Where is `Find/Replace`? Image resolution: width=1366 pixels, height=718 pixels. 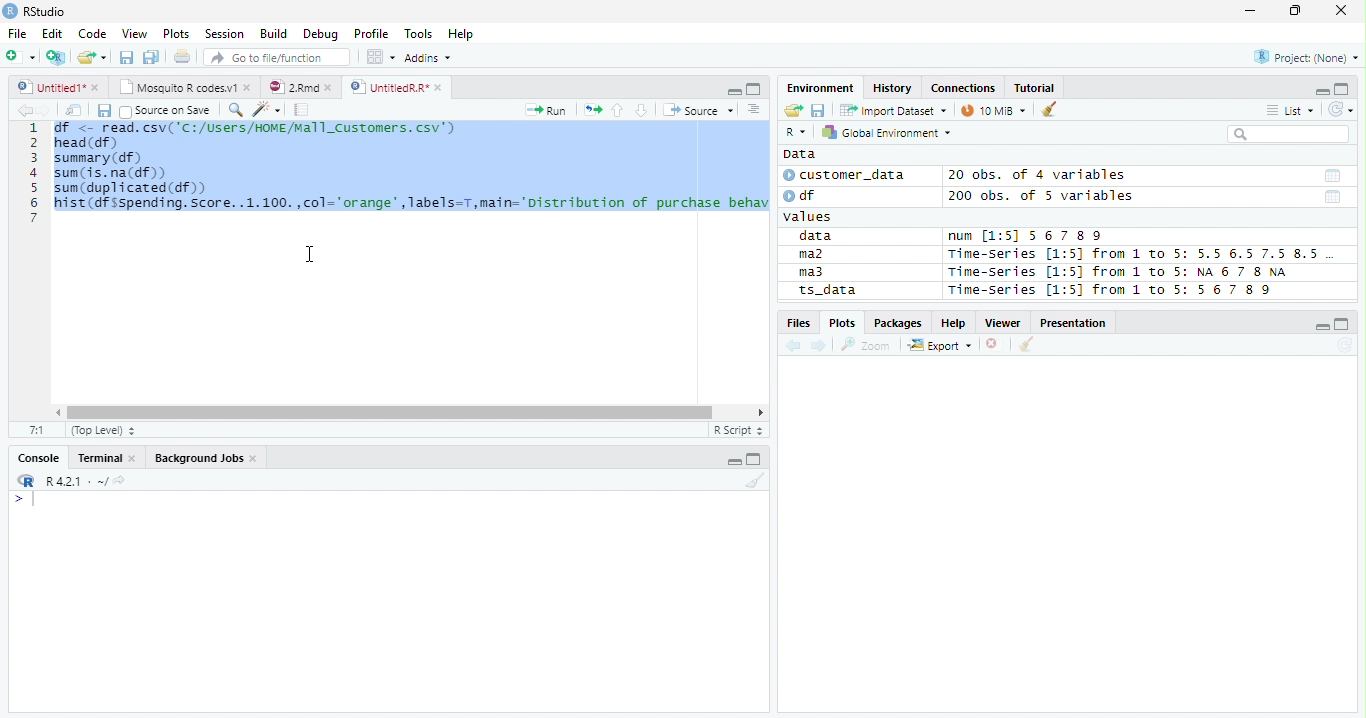 Find/Replace is located at coordinates (234, 109).